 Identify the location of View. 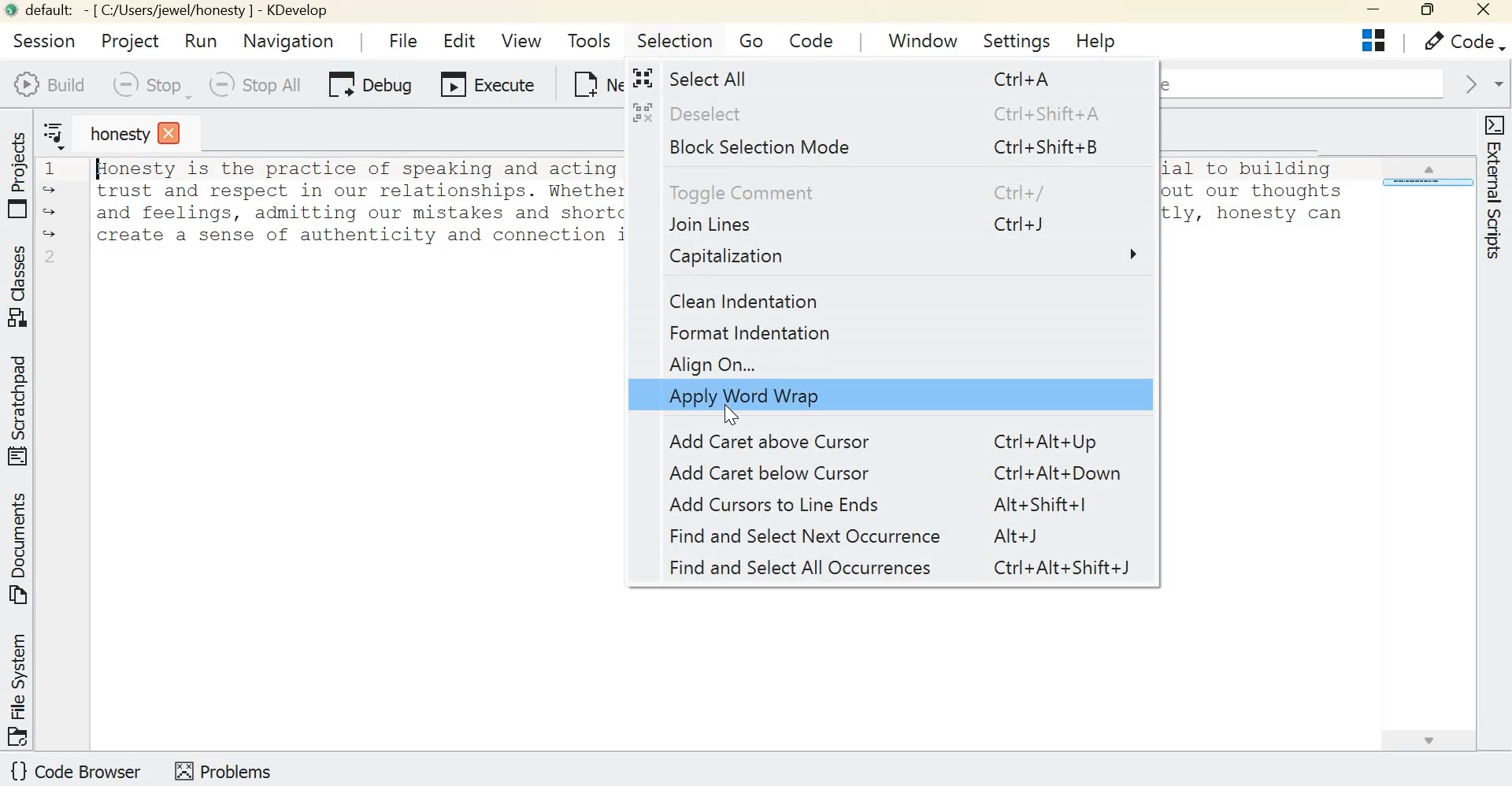
(521, 39).